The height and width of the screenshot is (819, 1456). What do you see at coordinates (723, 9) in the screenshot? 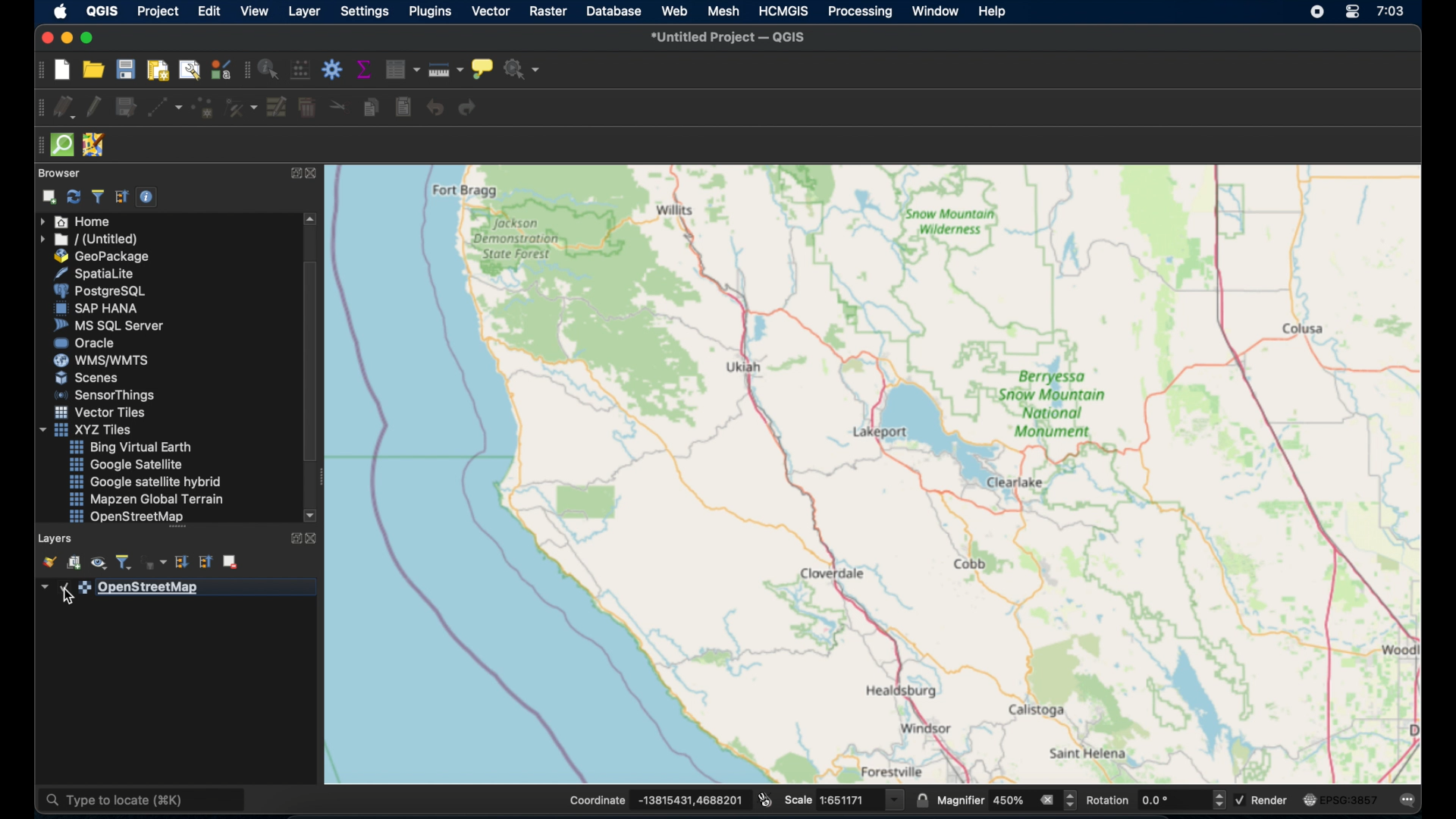
I see `mesh` at bounding box center [723, 9].